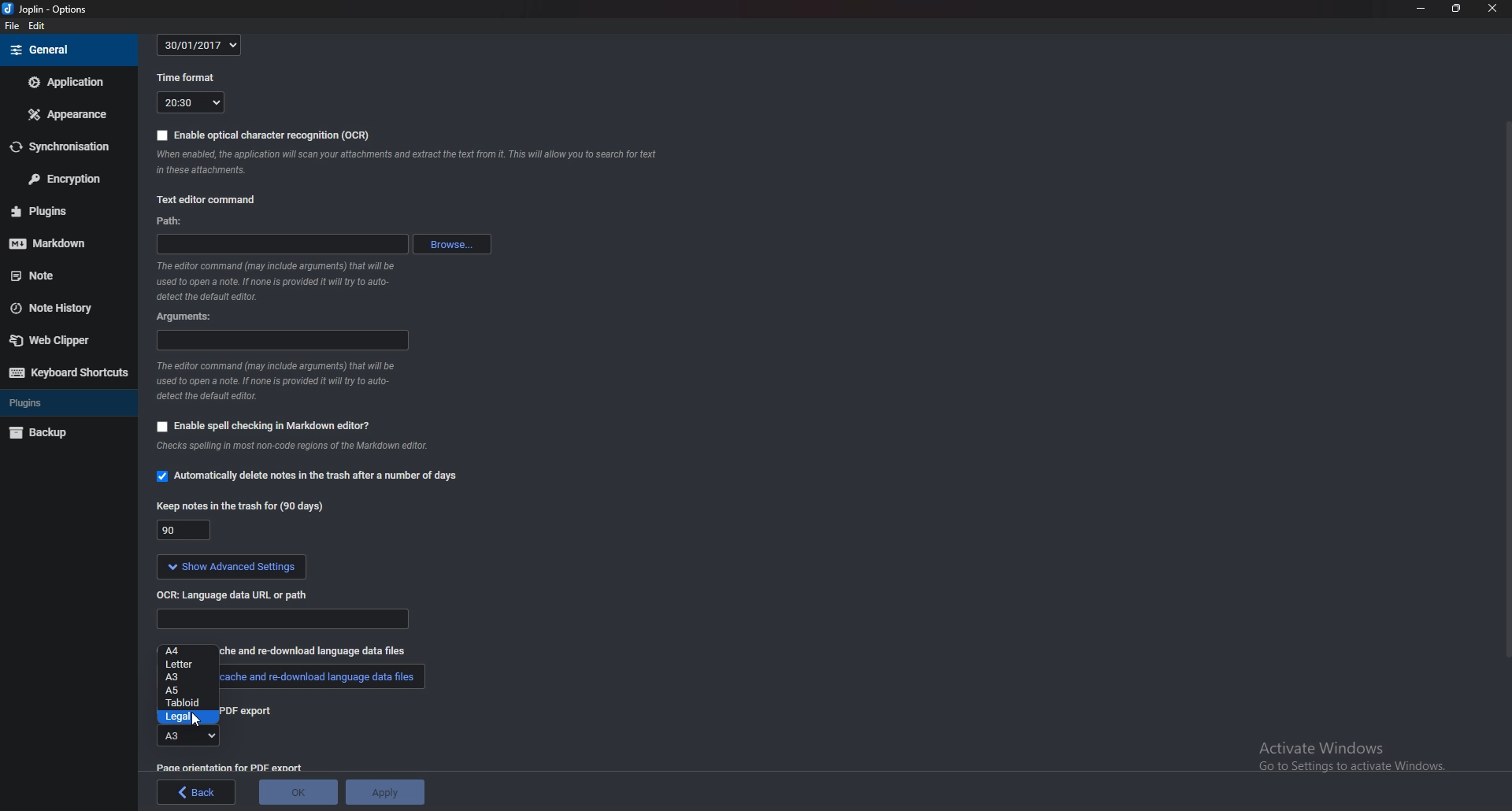  I want to click on back, so click(196, 792).